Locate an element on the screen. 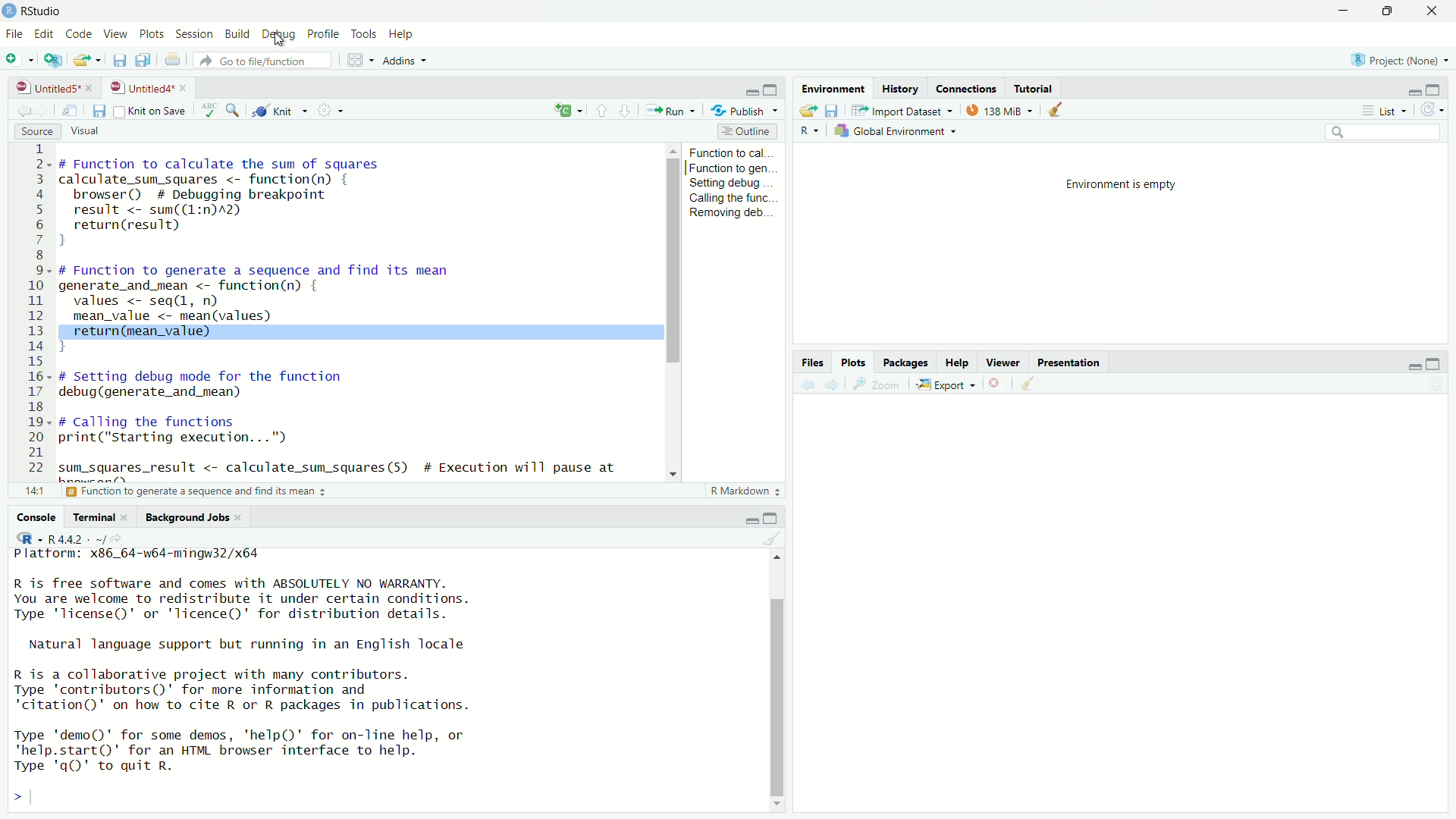  language select is located at coordinates (23, 538).